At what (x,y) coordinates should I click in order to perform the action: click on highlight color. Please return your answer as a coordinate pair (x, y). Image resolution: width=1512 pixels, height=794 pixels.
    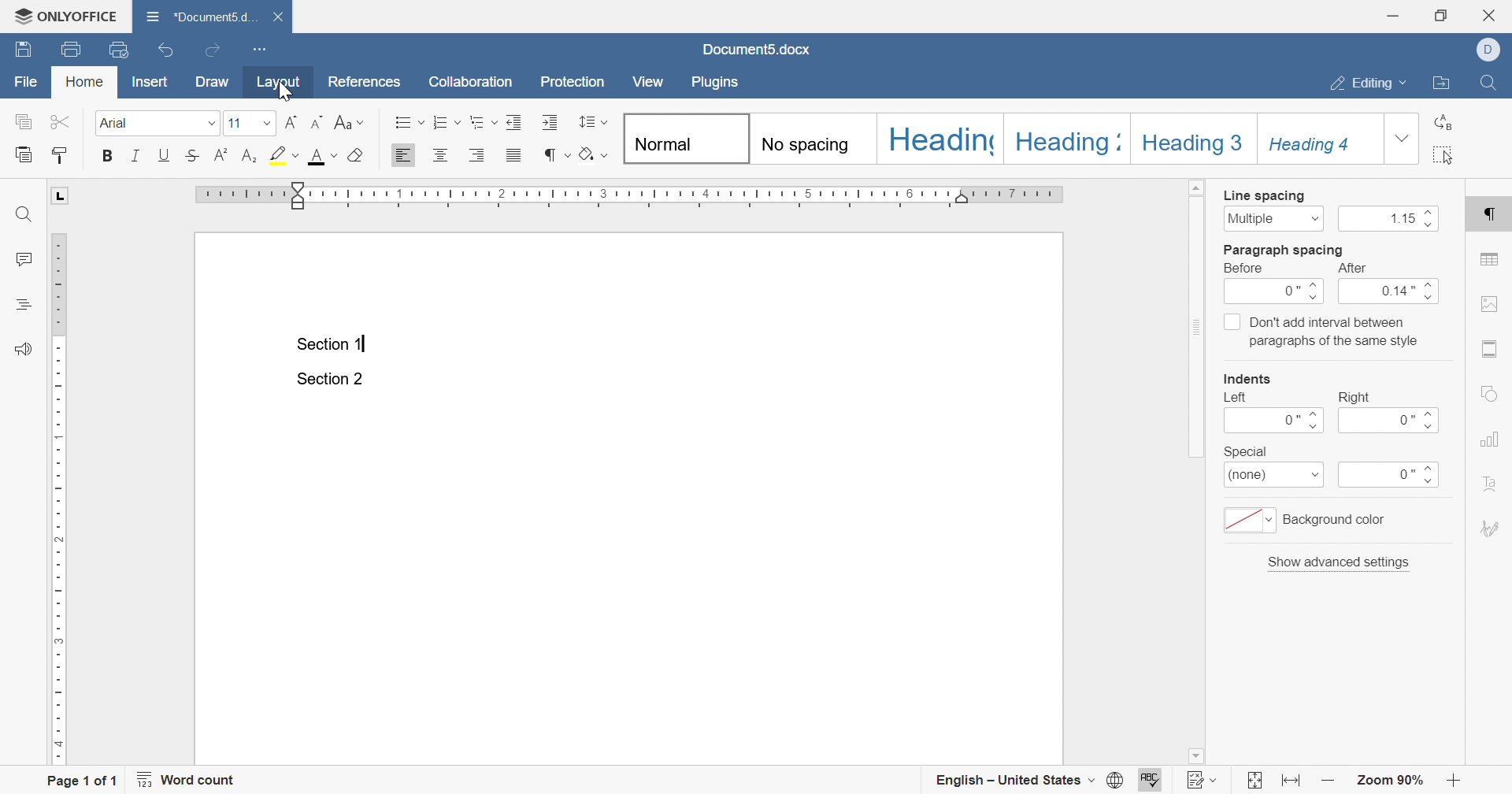
    Looking at the image, I should click on (284, 154).